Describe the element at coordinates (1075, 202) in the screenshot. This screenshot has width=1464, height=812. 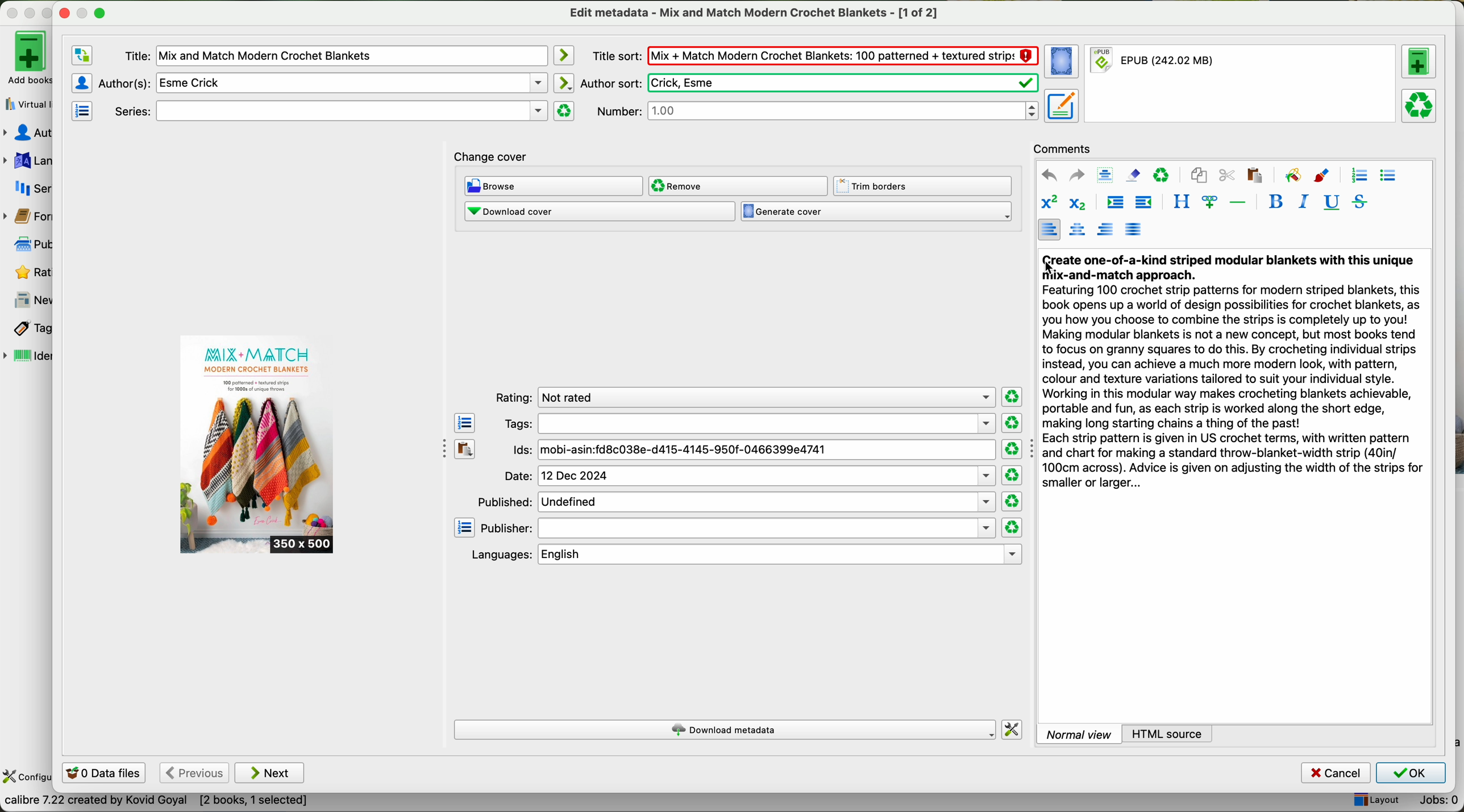
I see `subscript` at that location.